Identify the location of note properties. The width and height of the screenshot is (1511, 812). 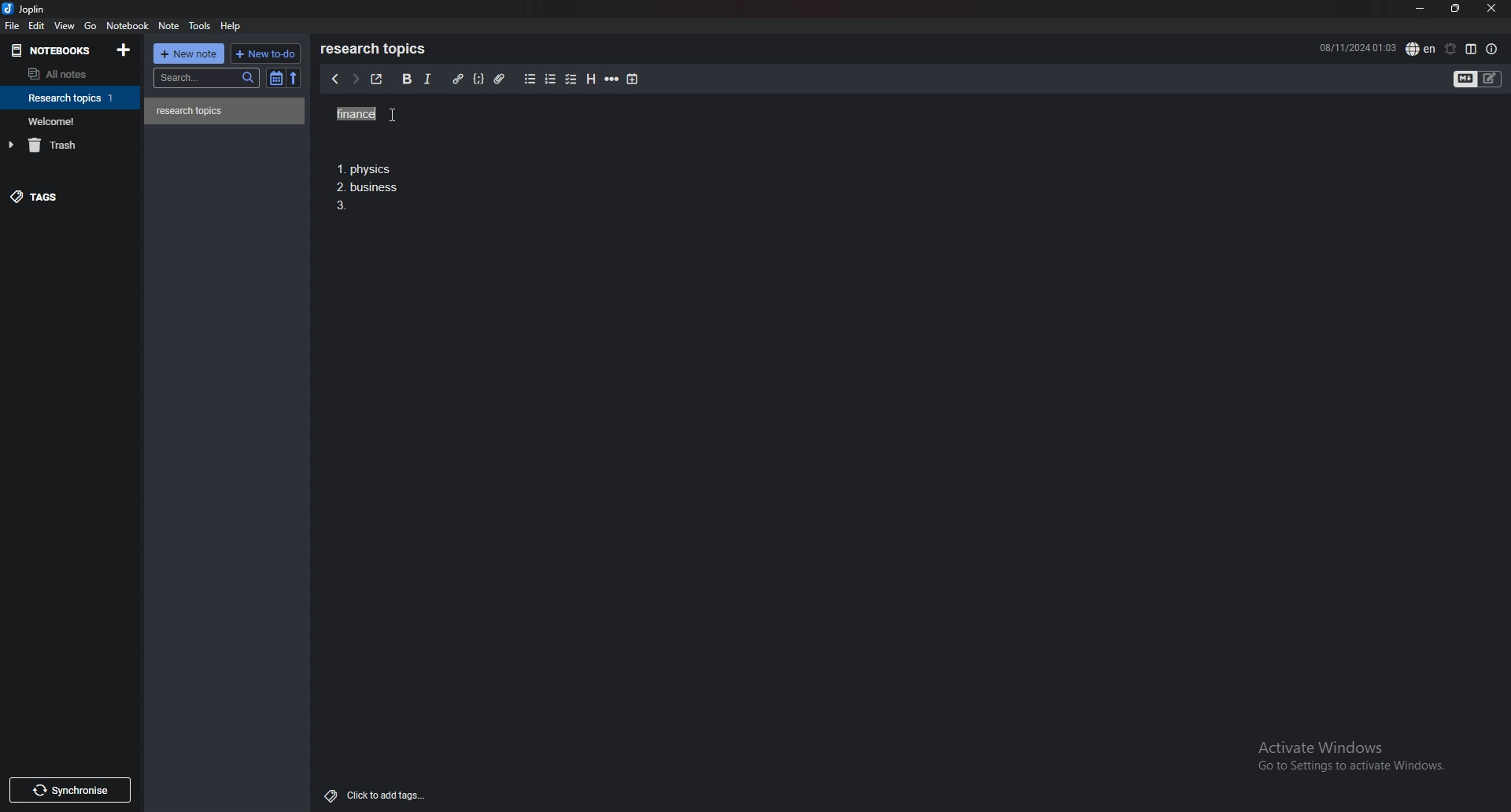
(1492, 49).